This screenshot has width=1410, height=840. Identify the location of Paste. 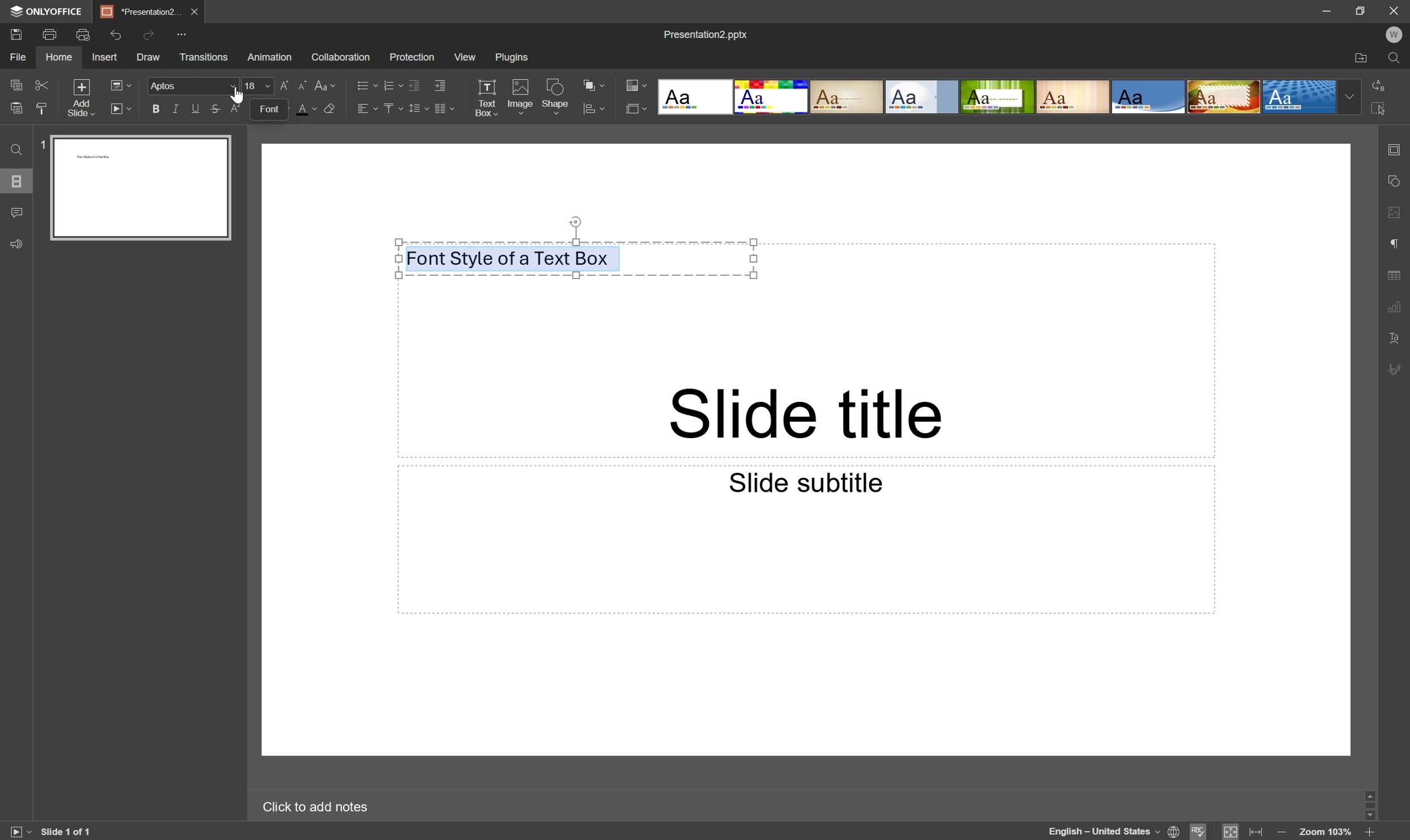
(16, 108).